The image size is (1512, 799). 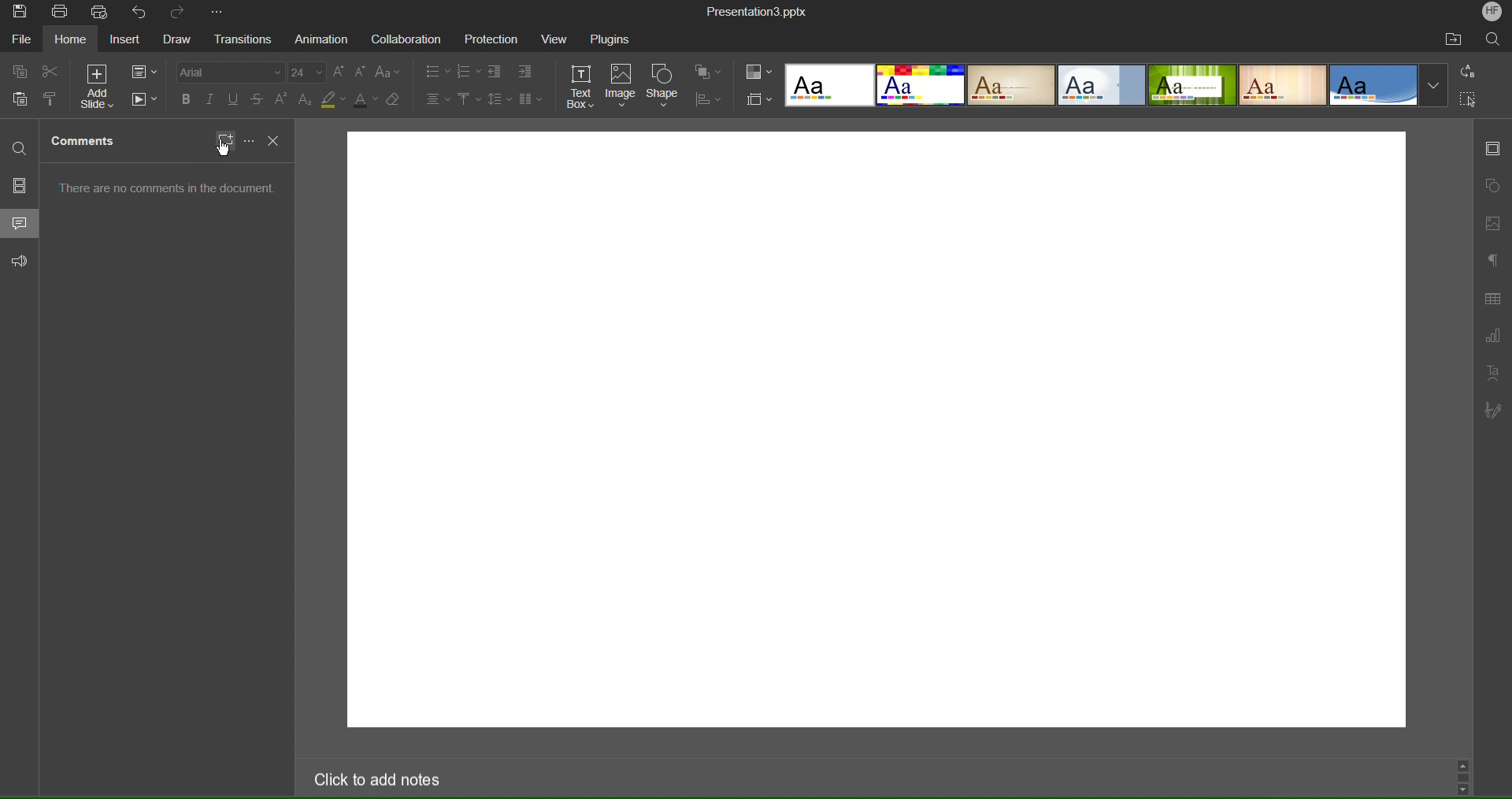 I want to click on Superscript, so click(x=283, y=100).